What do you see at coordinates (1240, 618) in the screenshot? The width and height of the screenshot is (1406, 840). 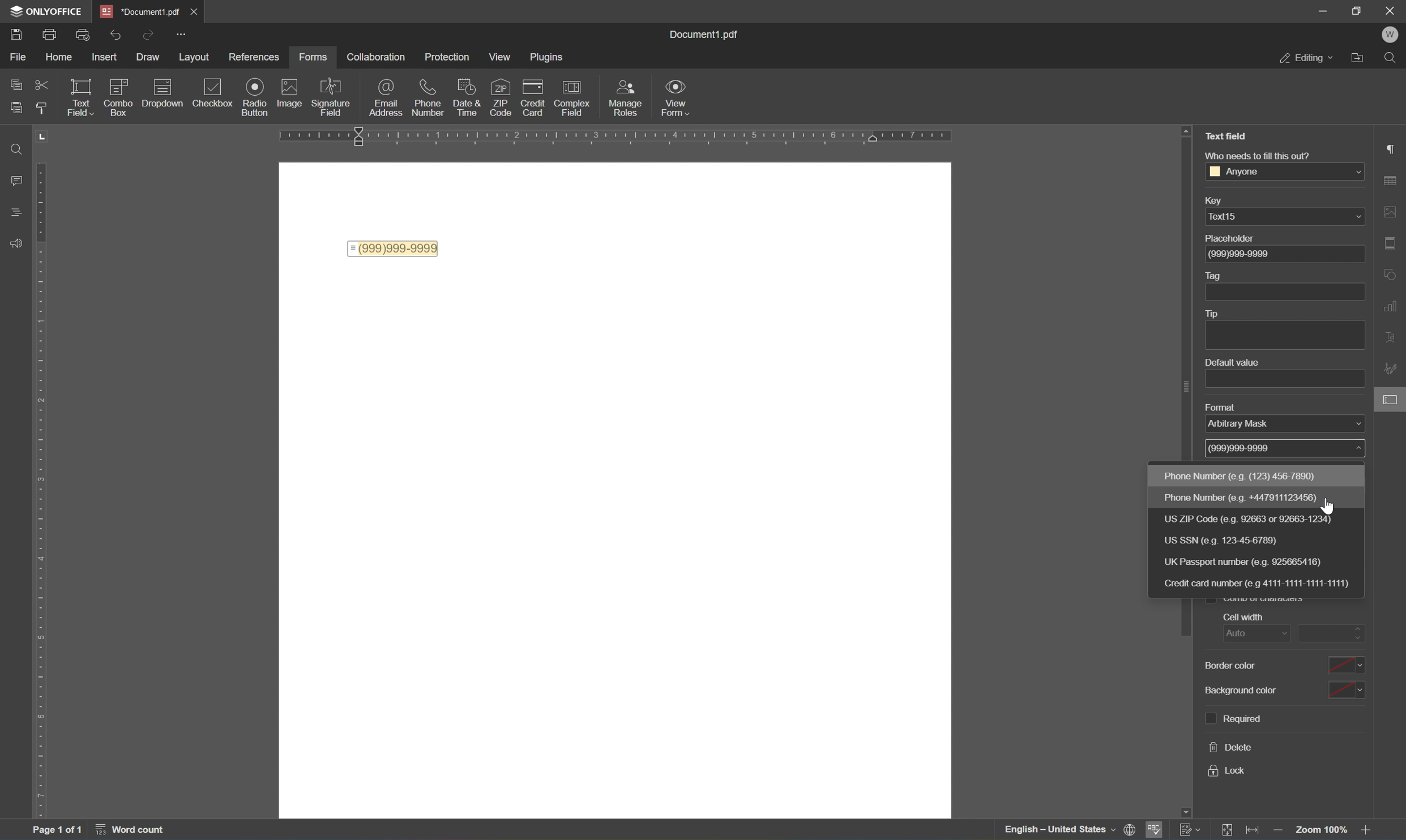 I see `cell width` at bounding box center [1240, 618].